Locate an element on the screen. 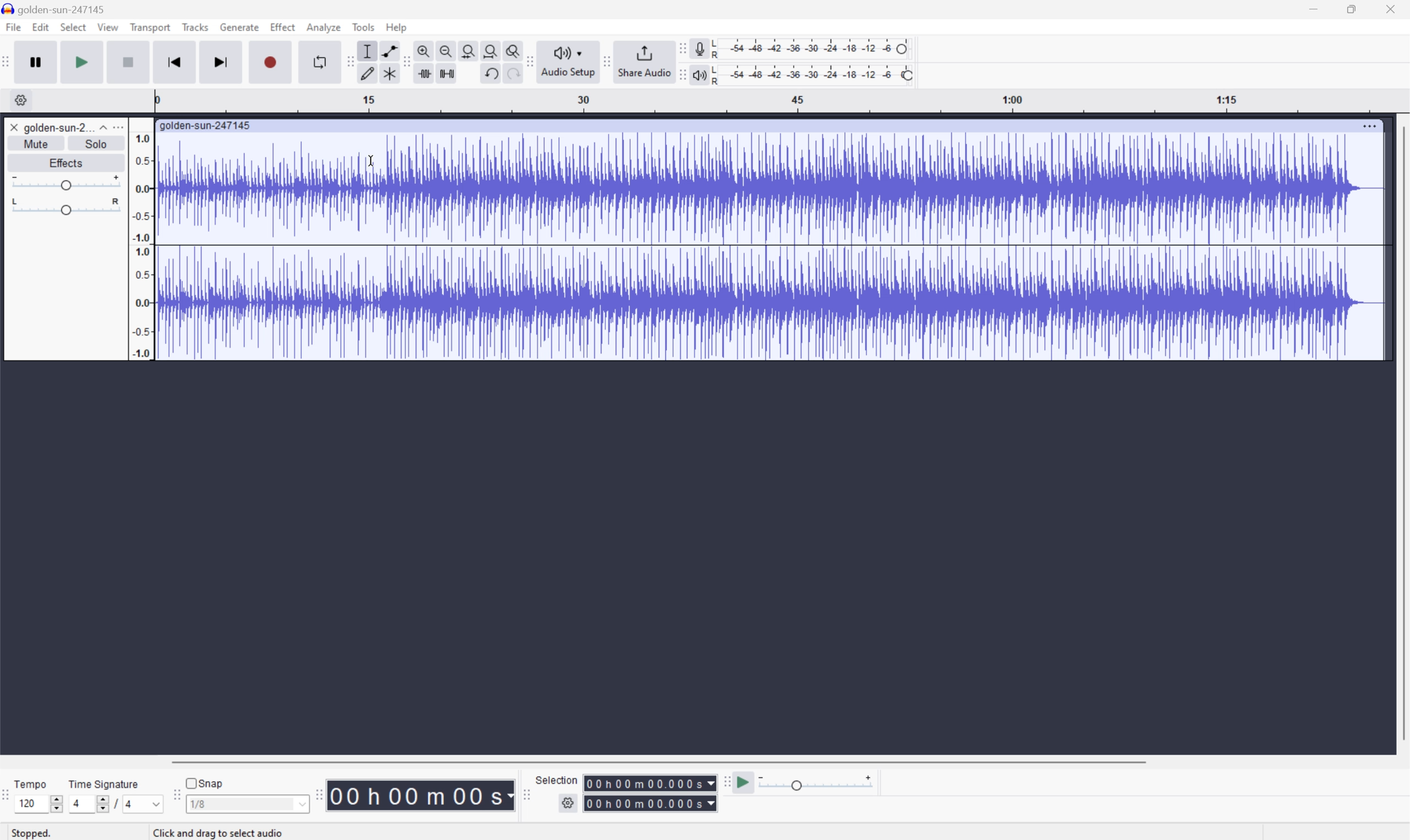 The image size is (1410, 840). Solo is located at coordinates (98, 144).